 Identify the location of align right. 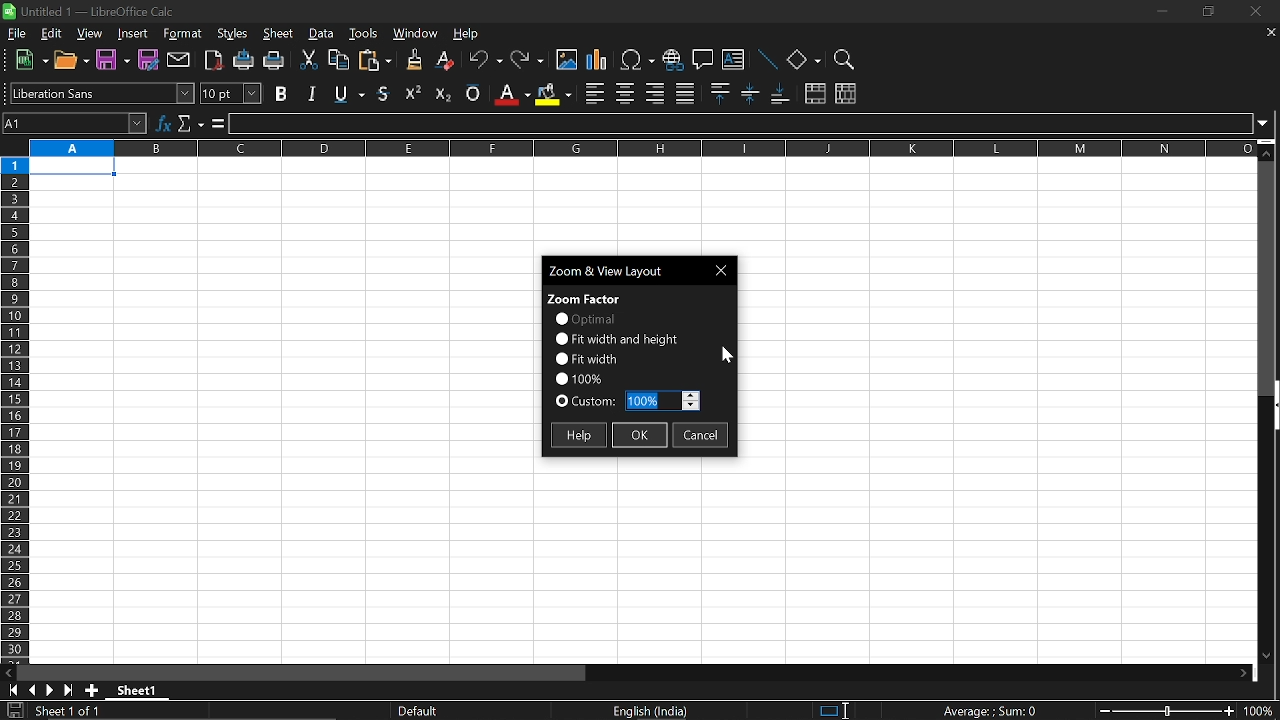
(655, 93).